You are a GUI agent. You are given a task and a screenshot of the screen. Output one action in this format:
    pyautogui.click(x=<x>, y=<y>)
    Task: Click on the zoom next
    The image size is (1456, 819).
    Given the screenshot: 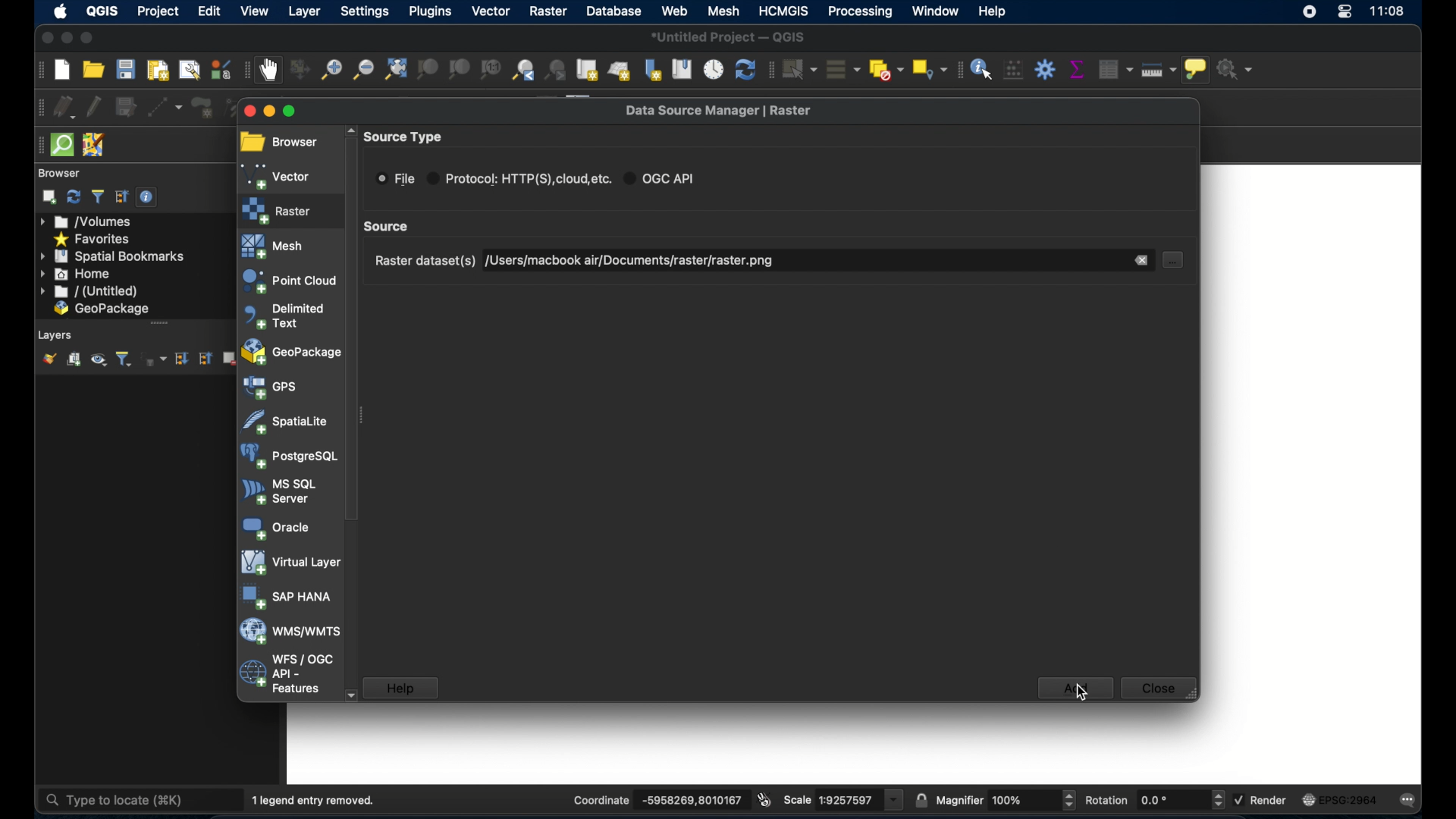 What is the action you would take?
    pyautogui.click(x=557, y=69)
    